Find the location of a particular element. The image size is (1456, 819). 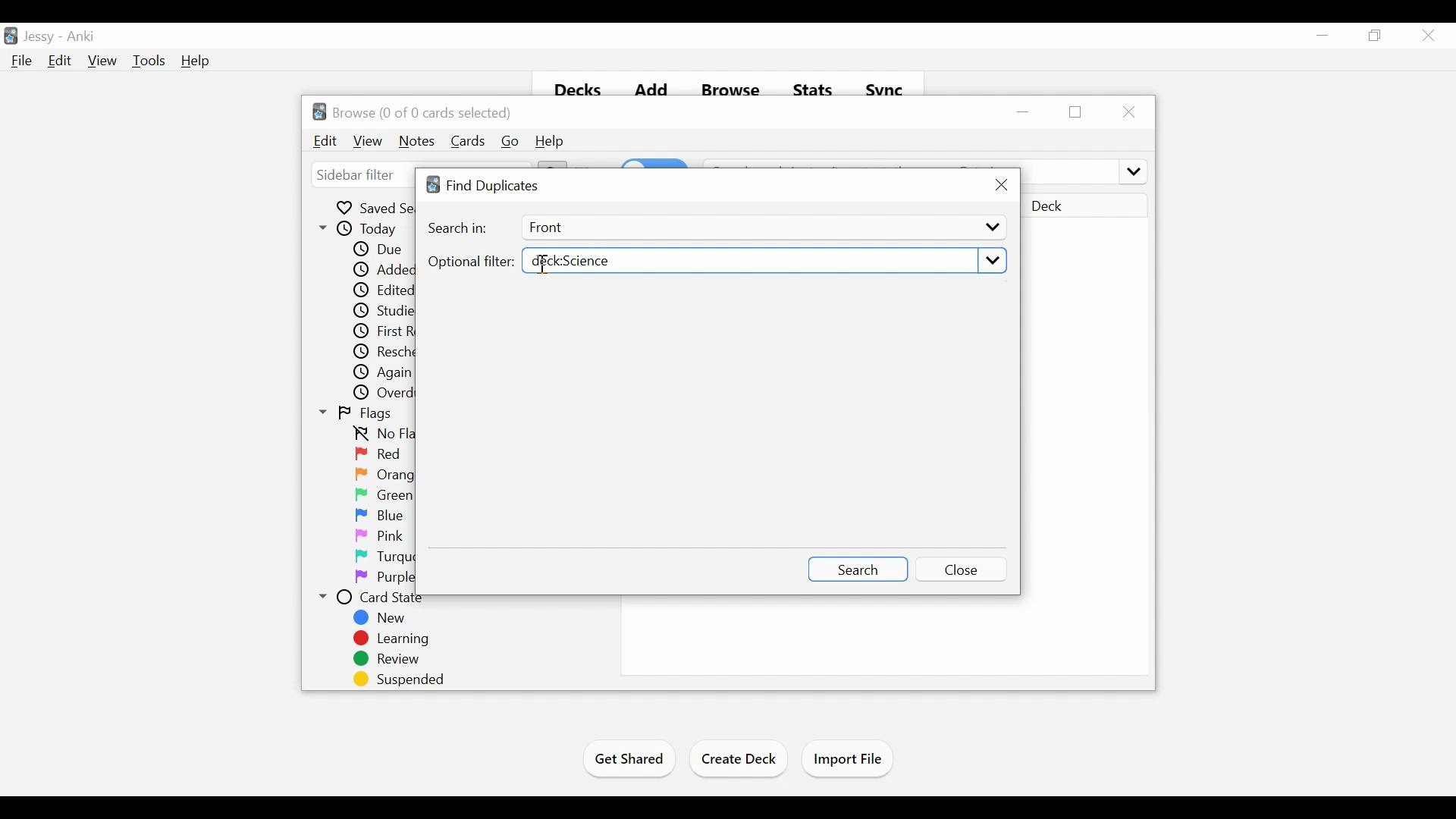

cursor is located at coordinates (542, 269).